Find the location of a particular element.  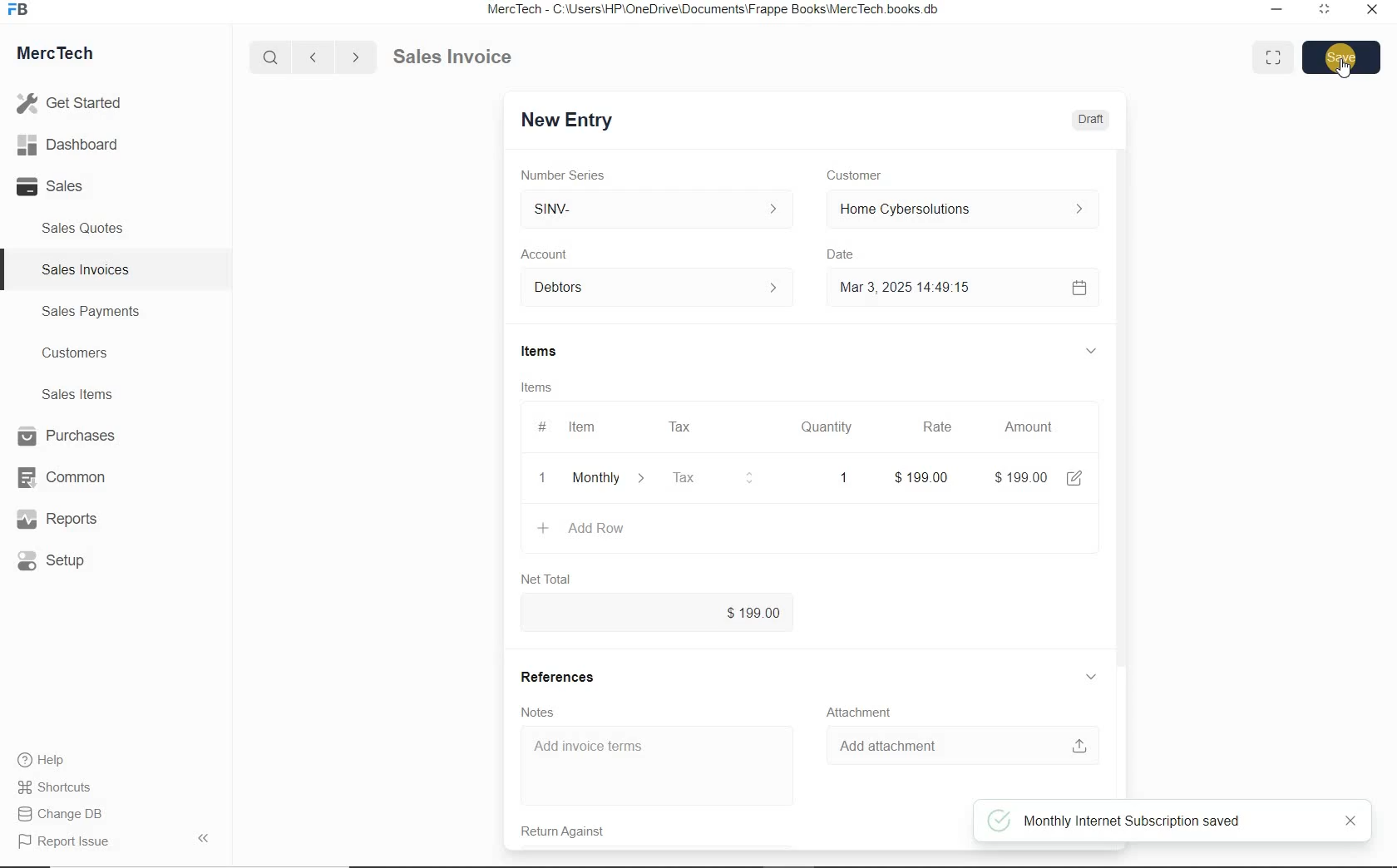

Sales Invoice is located at coordinates (454, 58).